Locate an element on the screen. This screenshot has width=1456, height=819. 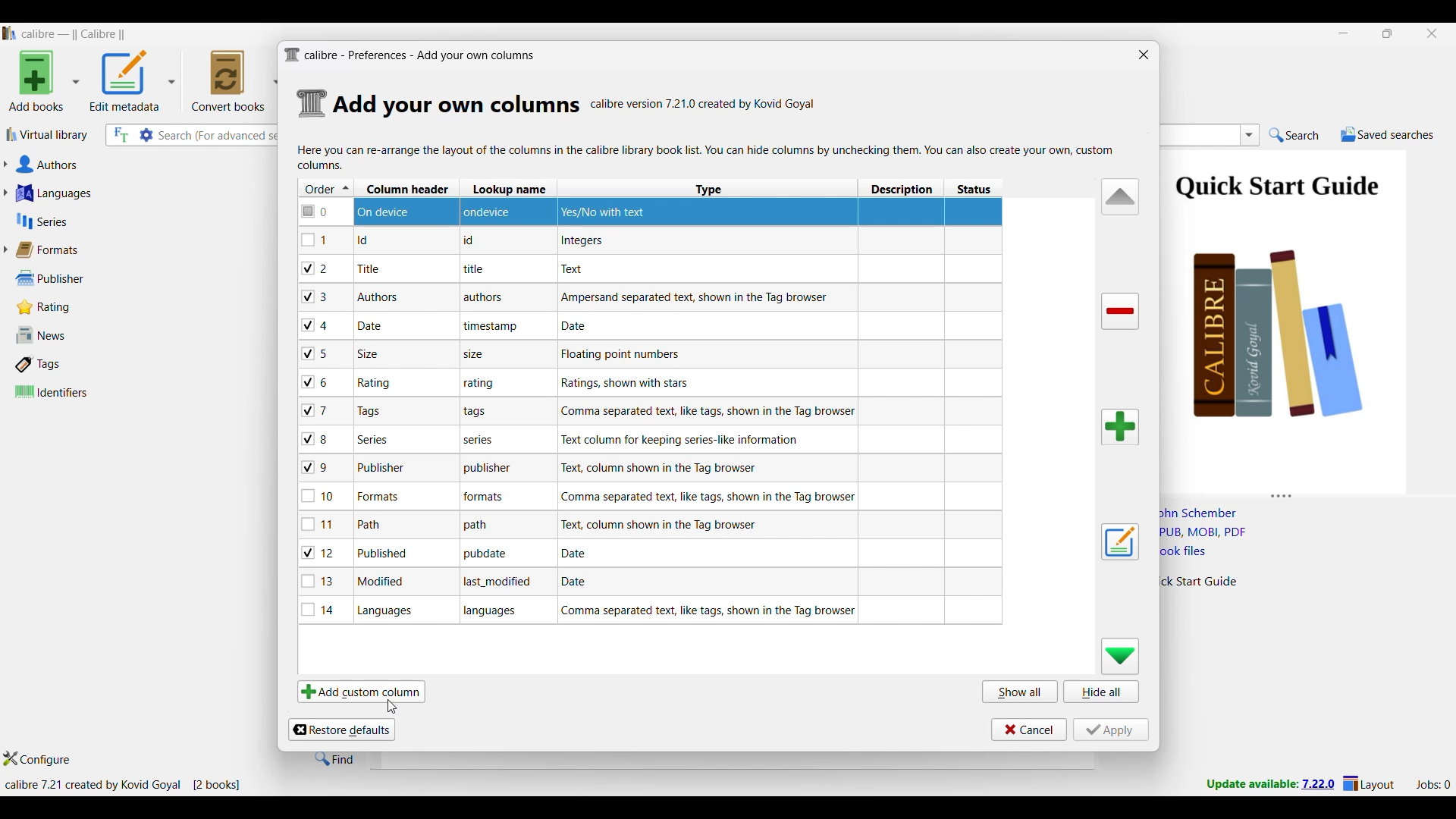
Book preview is located at coordinates (1303, 316).